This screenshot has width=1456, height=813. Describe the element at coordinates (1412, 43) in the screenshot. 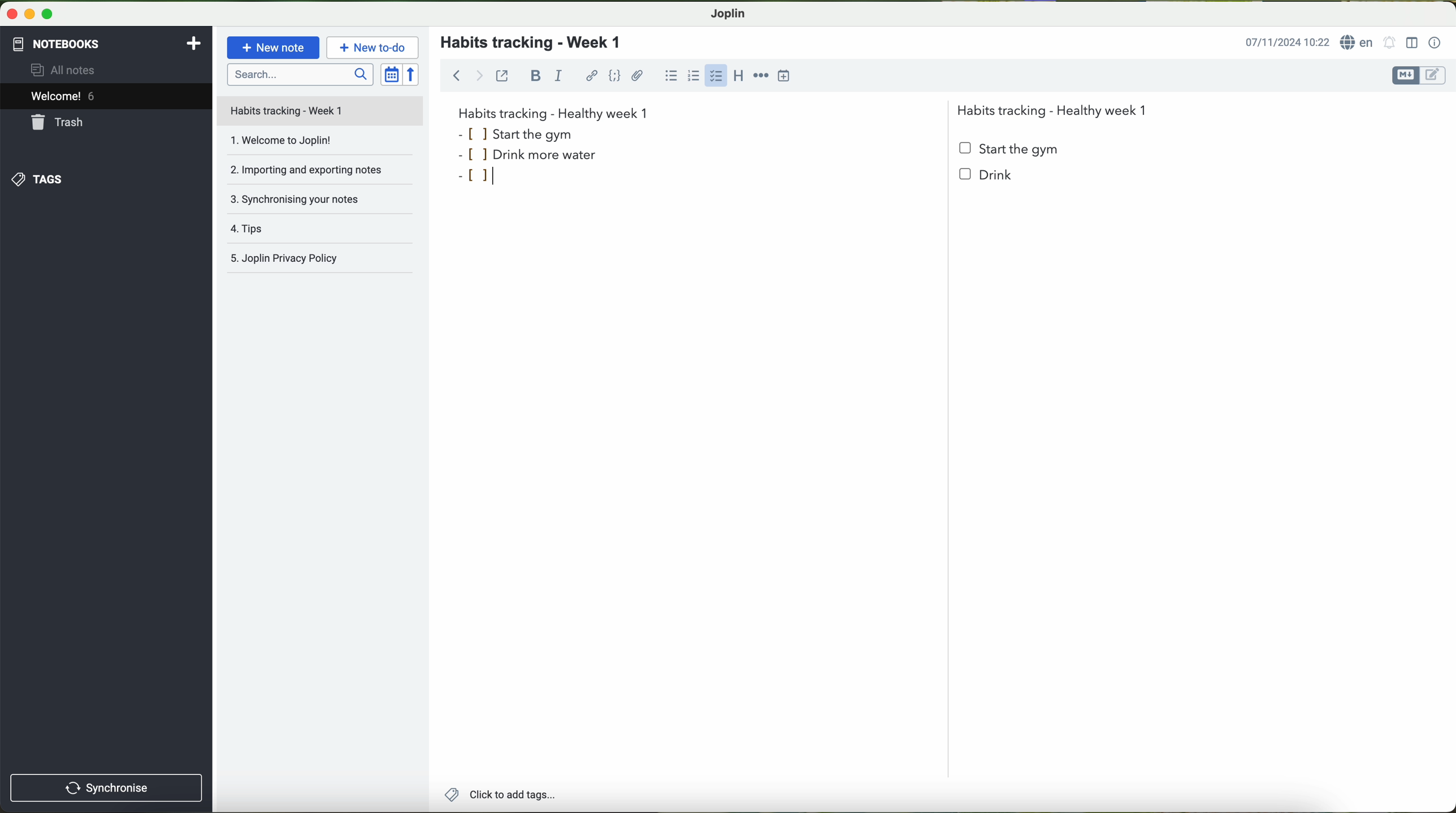

I see `toggle editor layout` at that location.